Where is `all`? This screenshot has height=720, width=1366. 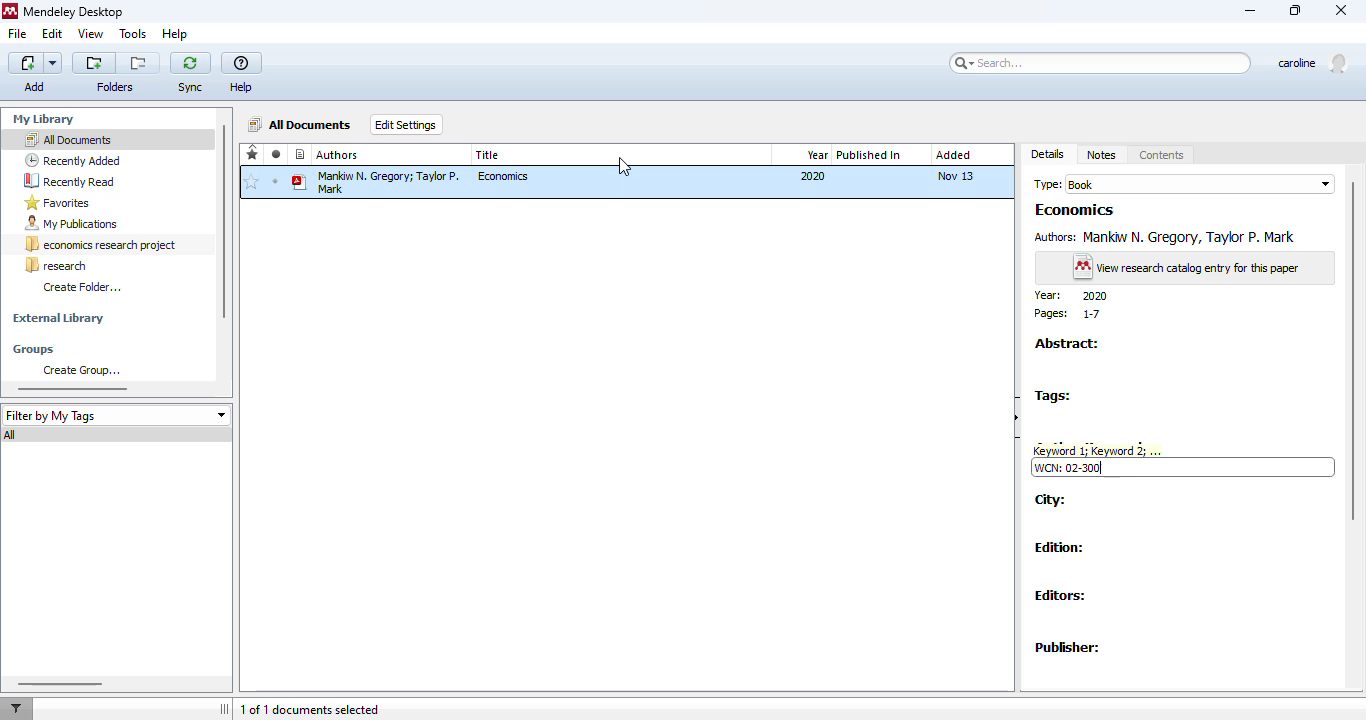
all is located at coordinates (13, 435).